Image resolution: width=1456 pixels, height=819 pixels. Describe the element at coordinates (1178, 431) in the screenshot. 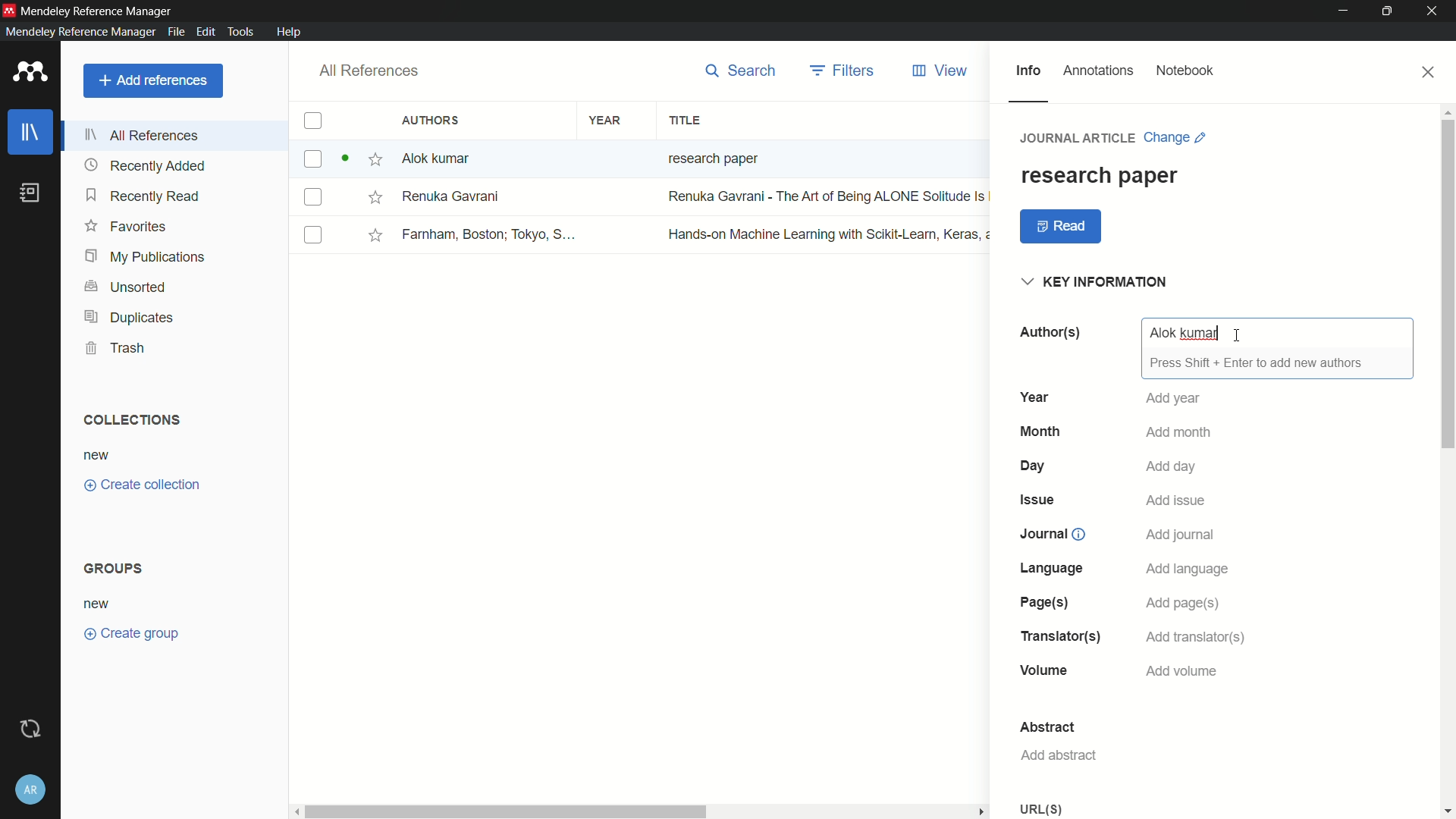

I see `add month` at that location.